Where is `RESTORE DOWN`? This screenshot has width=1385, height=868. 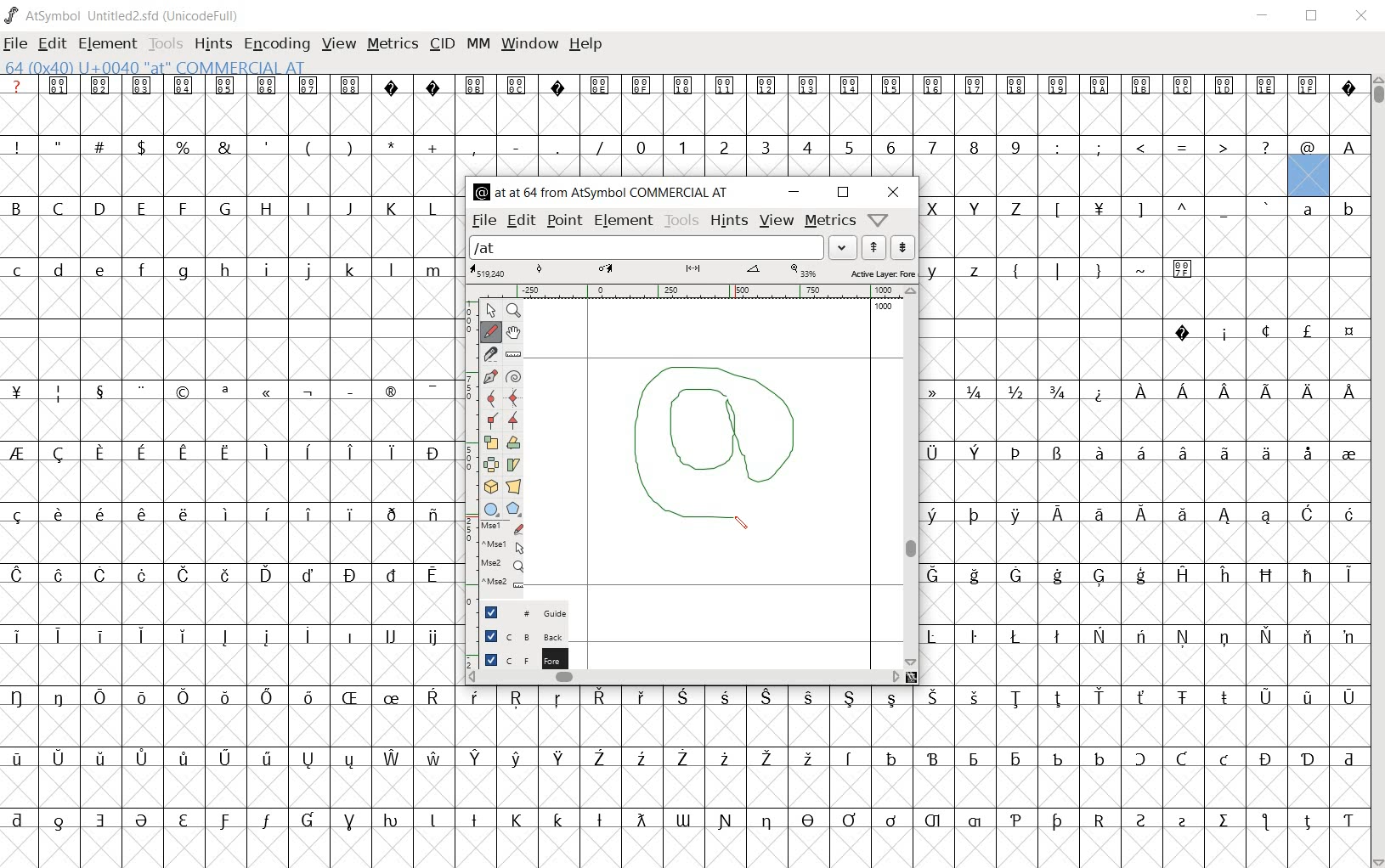
RESTORE DOWN is located at coordinates (1314, 19).